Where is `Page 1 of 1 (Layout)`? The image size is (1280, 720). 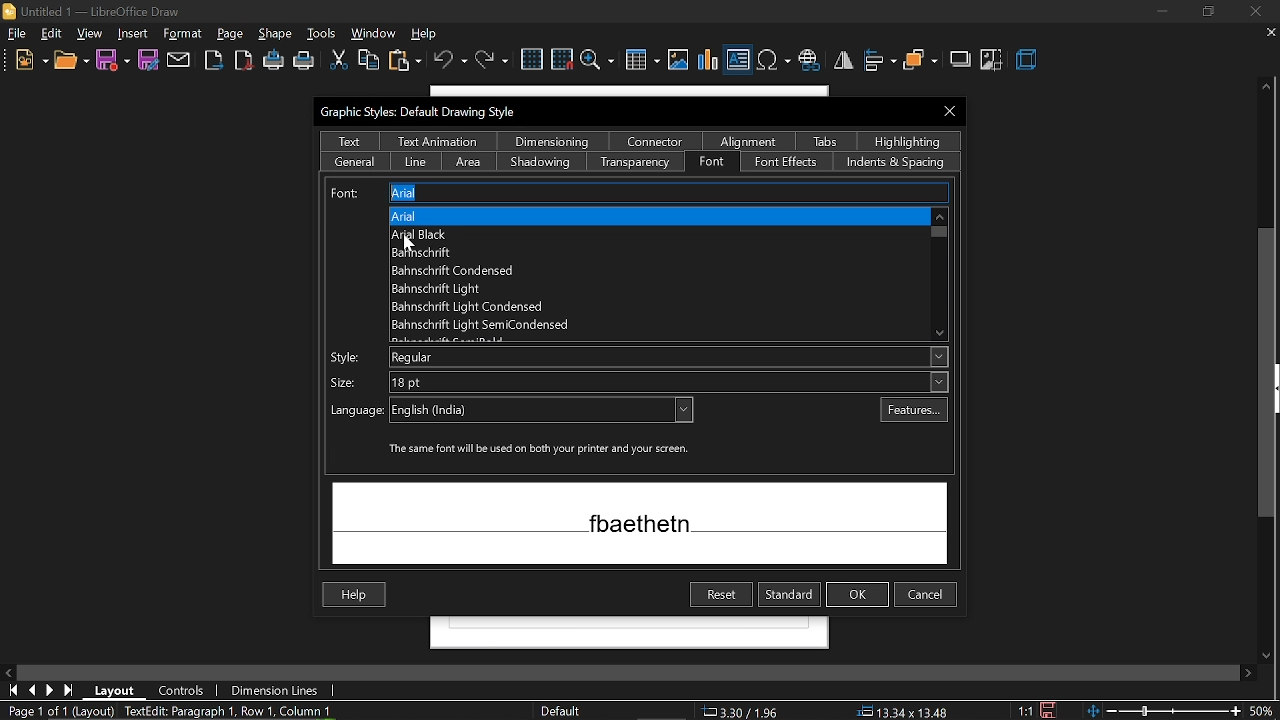
Page 1 of 1 (Layout) is located at coordinates (57, 711).